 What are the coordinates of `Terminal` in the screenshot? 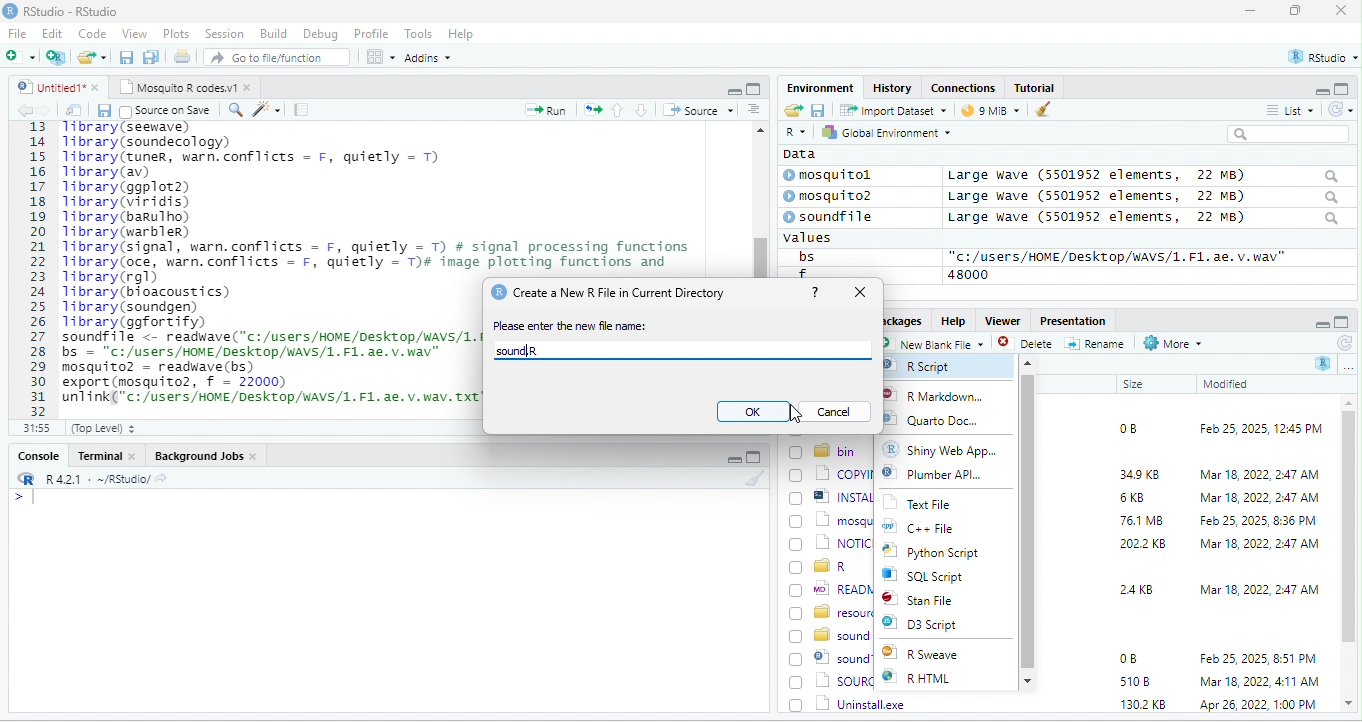 It's located at (107, 455).